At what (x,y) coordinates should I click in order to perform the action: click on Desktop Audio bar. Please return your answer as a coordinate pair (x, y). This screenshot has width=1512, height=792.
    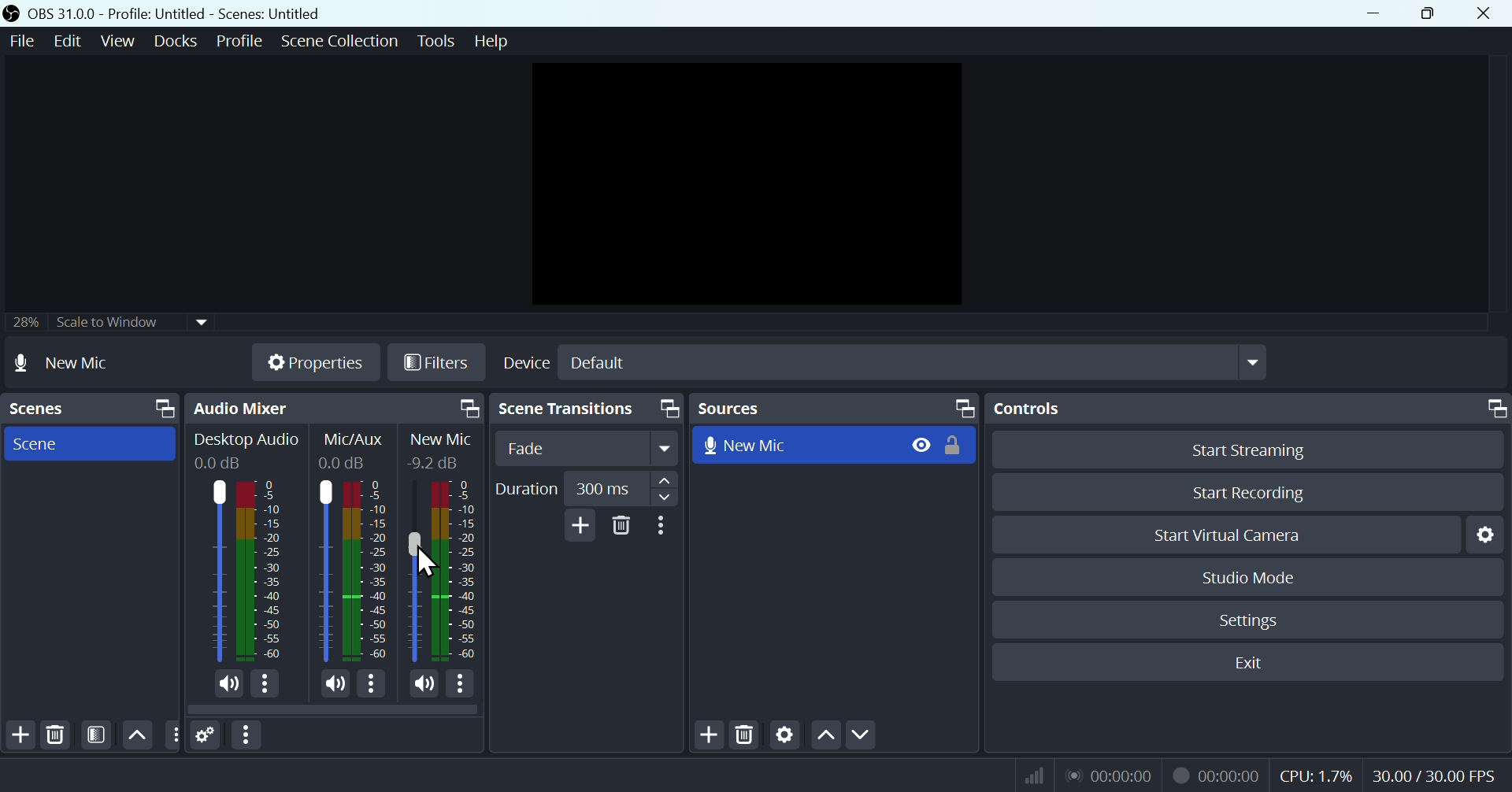
    Looking at the image, I should click on (257, 571).